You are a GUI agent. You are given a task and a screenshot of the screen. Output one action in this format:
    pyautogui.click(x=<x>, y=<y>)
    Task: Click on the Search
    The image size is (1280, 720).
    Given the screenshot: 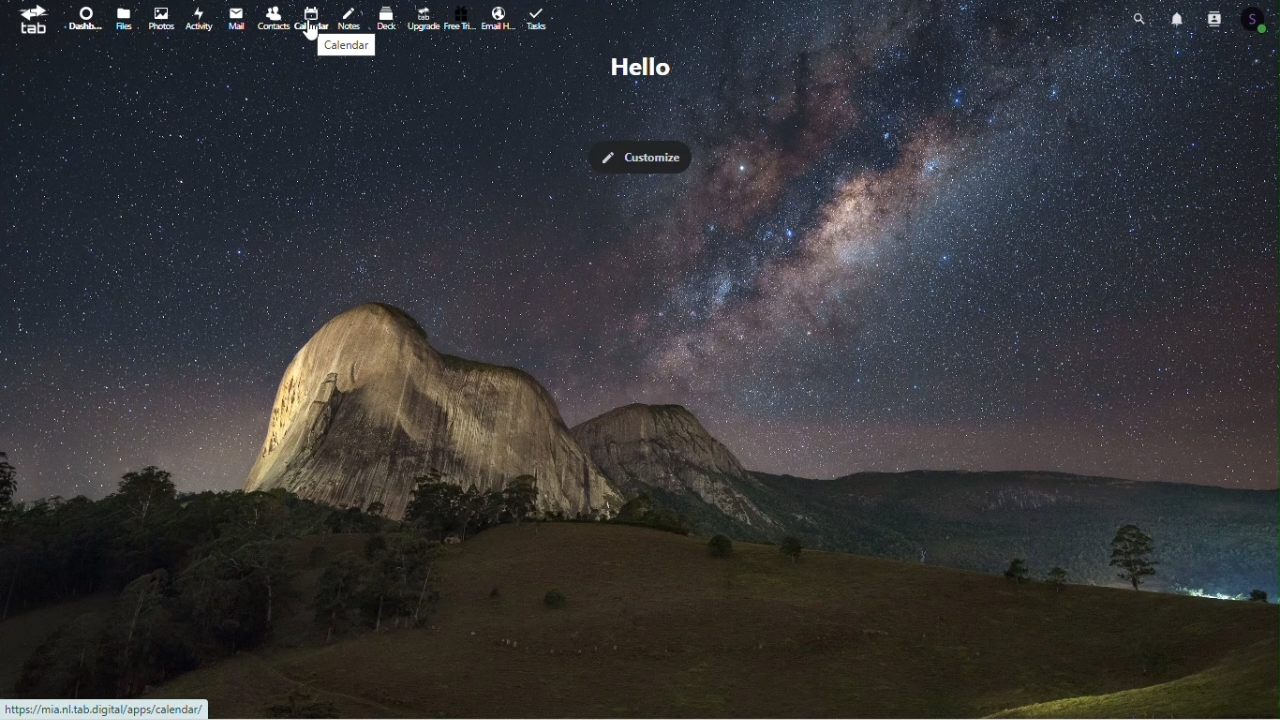 What is the action you would take?
    pyautogui.click(x=1139, y=24)
    